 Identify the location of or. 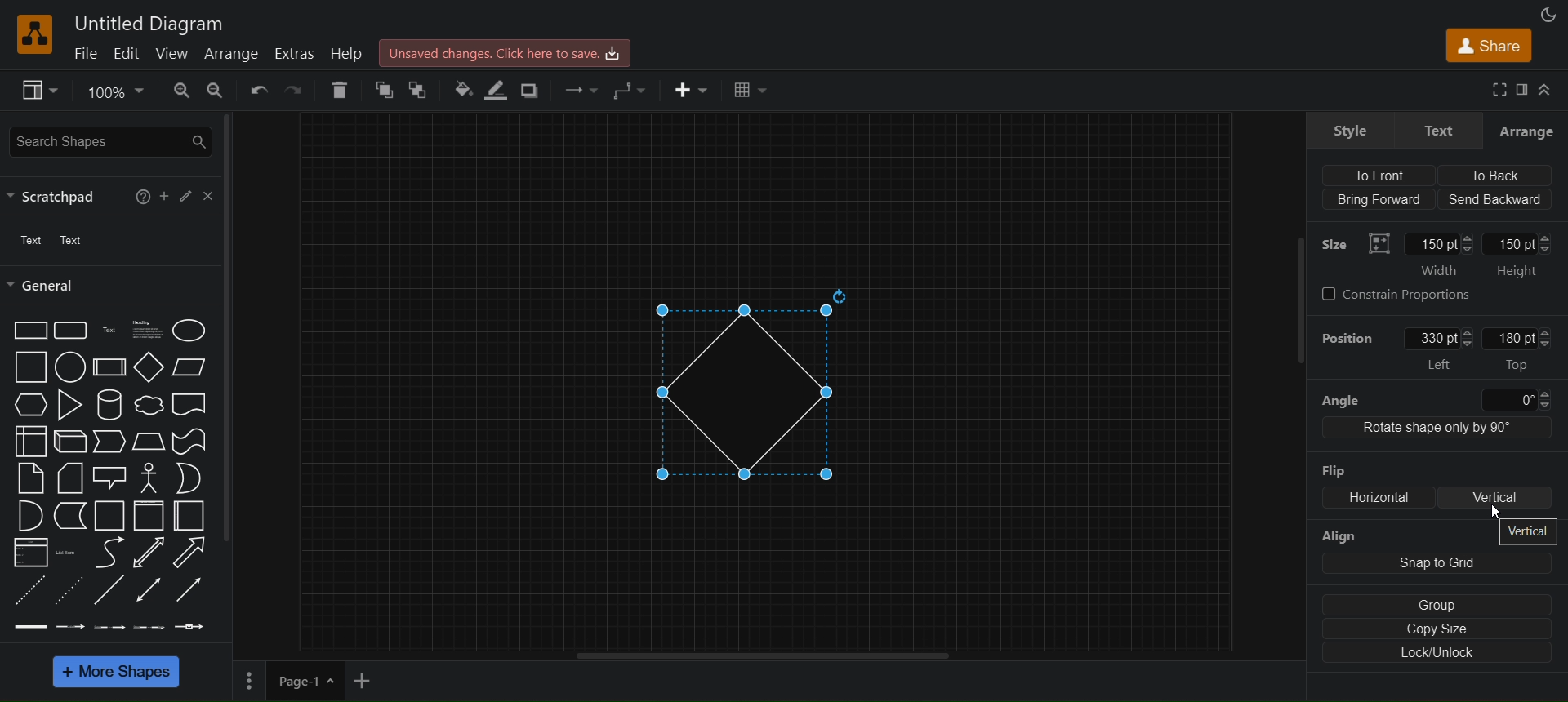
(188, 477).